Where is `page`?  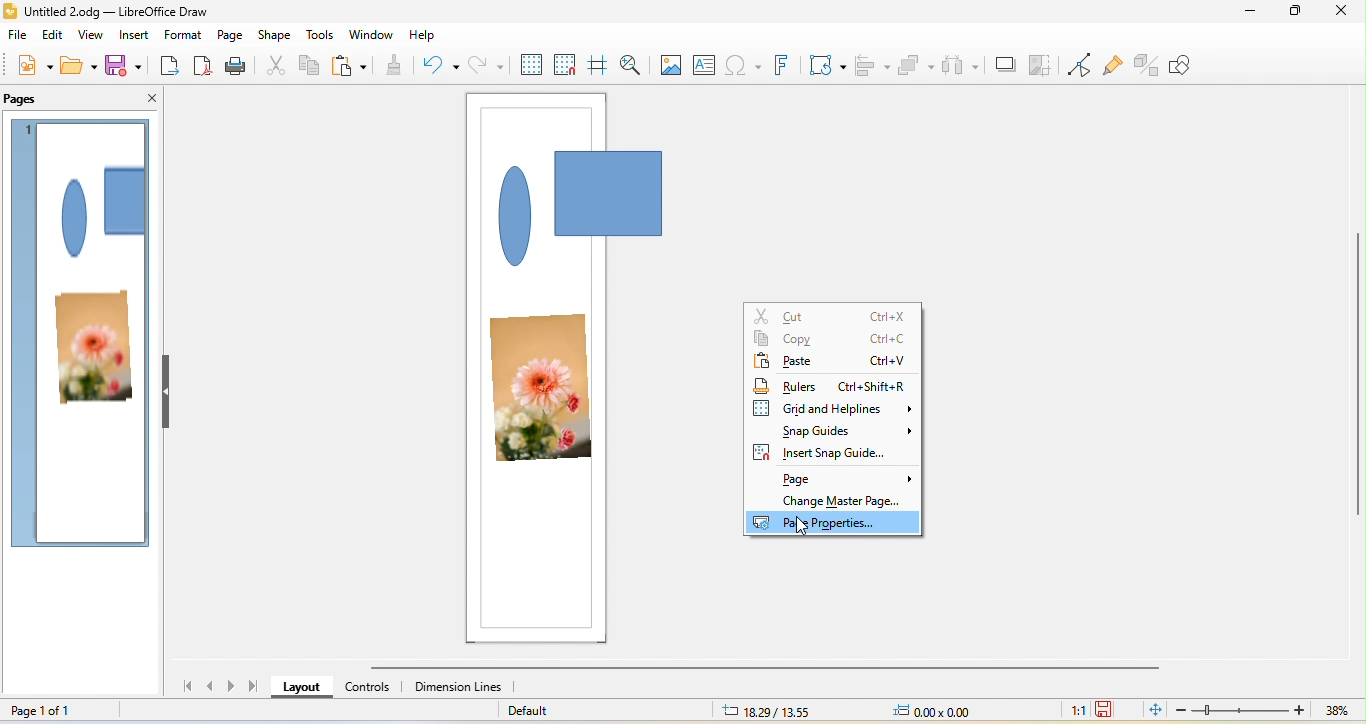
page is located at coordinates (848, 476).